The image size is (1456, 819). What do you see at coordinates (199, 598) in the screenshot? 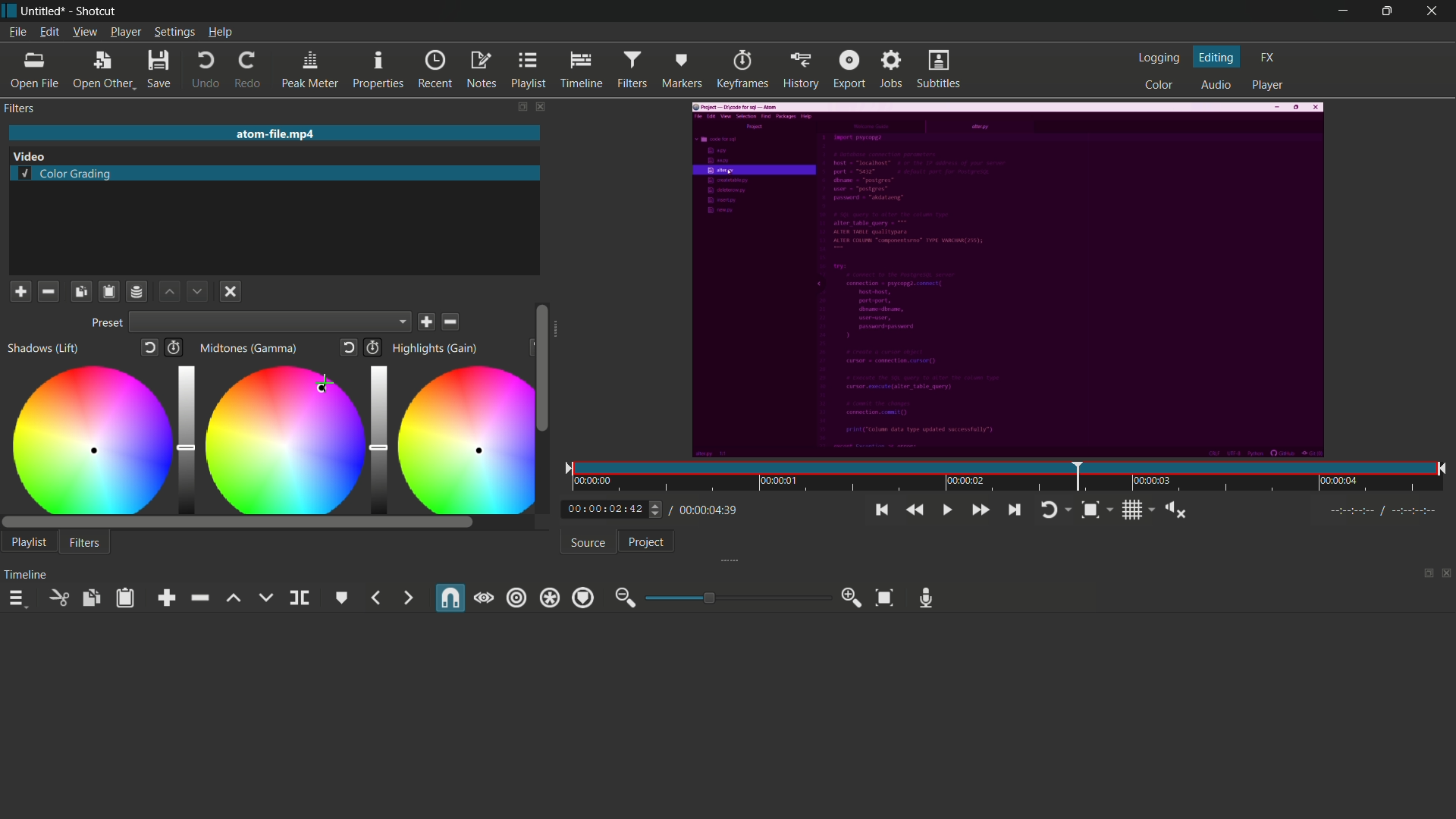
I see `ripple delete` at bounding box center [199, 598].